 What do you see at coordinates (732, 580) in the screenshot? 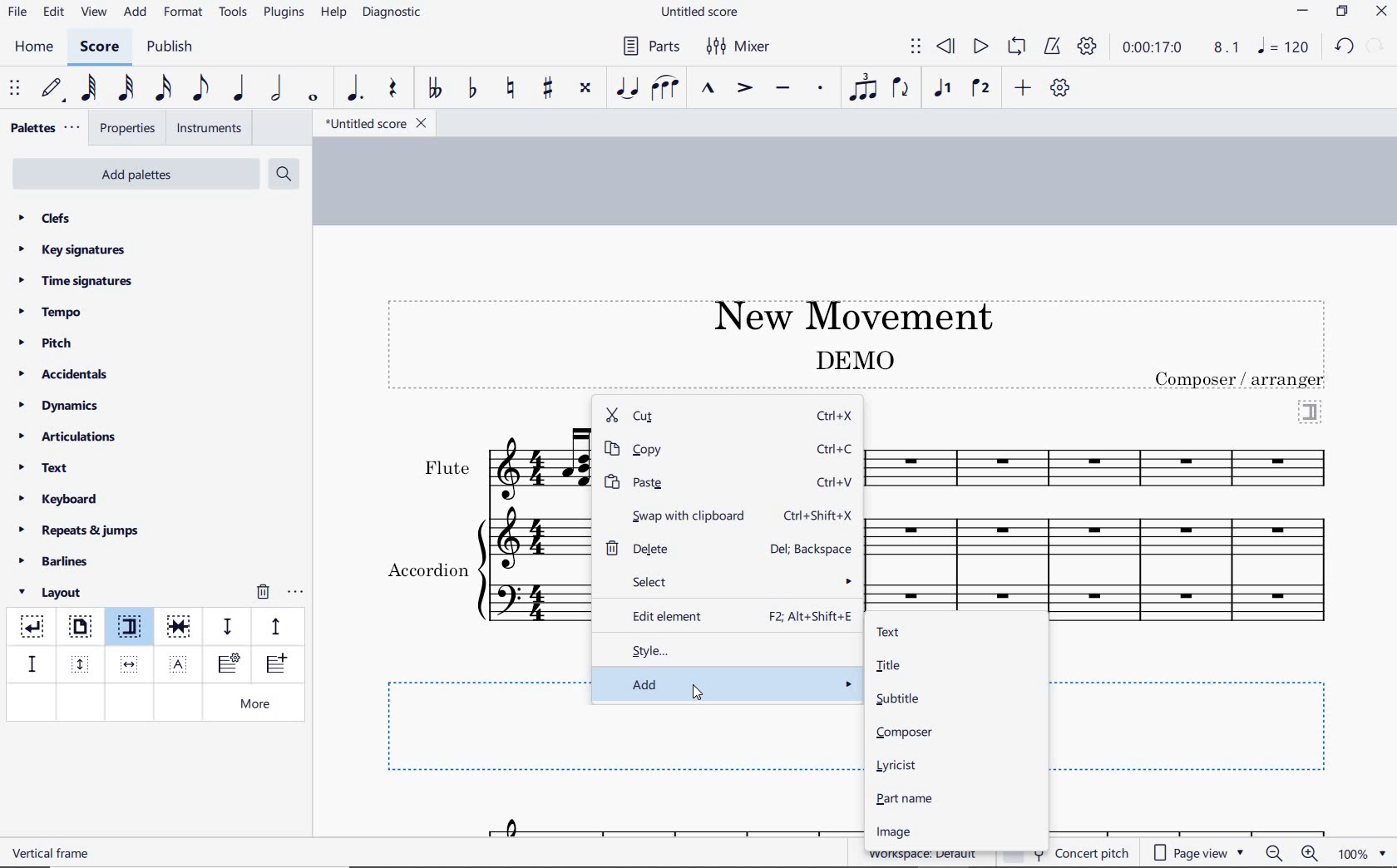
I see `elect` at bounding box center [732, 580].